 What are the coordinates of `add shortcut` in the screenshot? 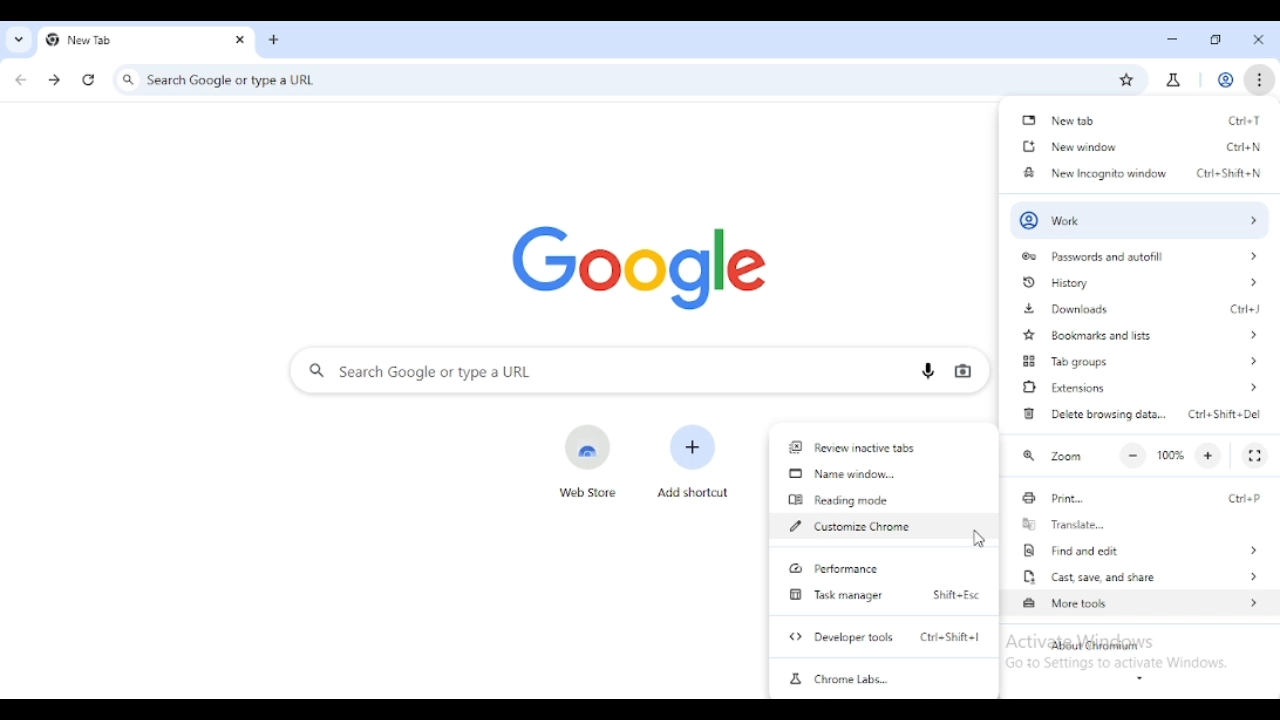 It's located at (693, 460).